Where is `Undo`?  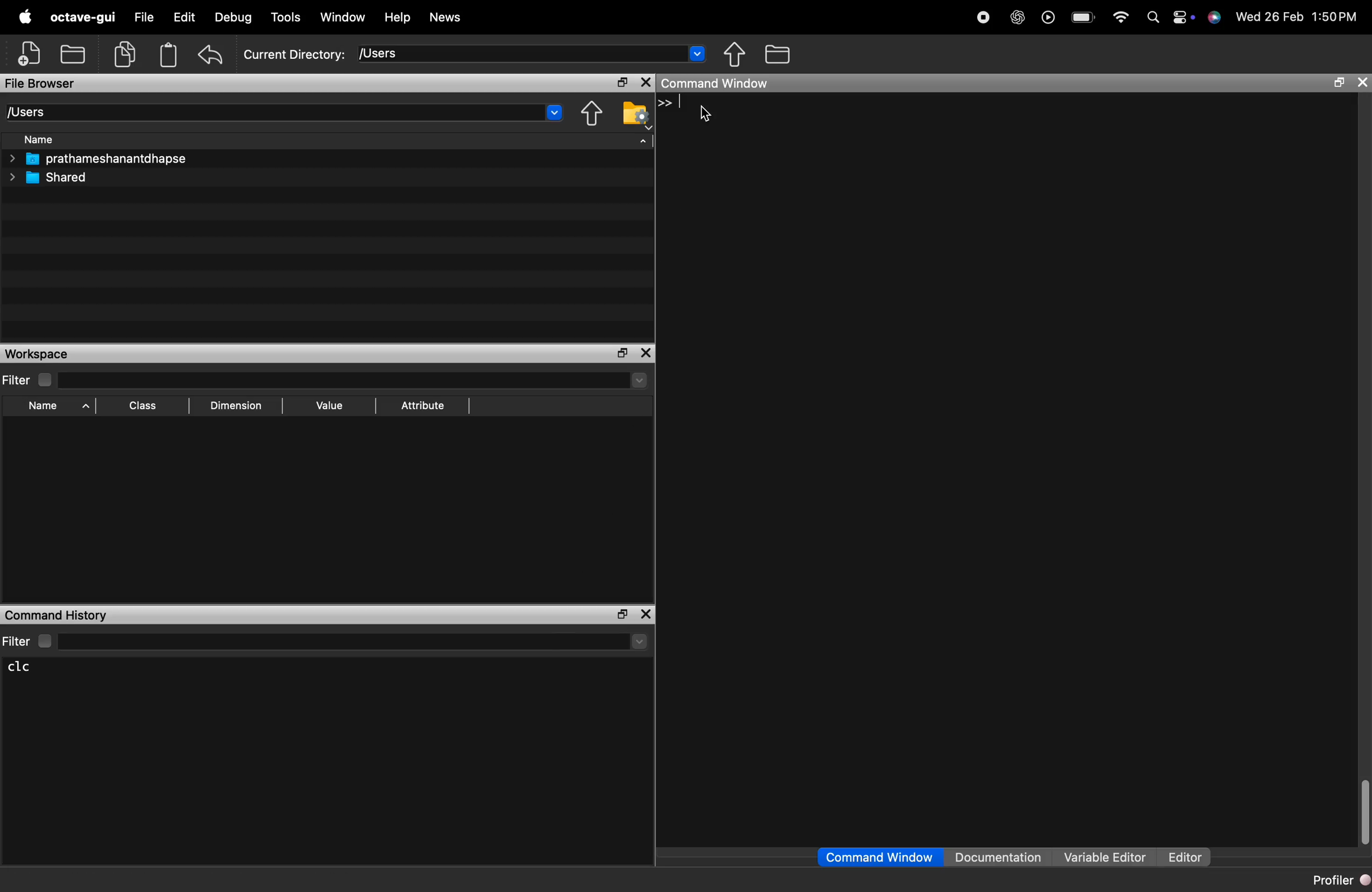
Undo is located at coordinates (211, 54).